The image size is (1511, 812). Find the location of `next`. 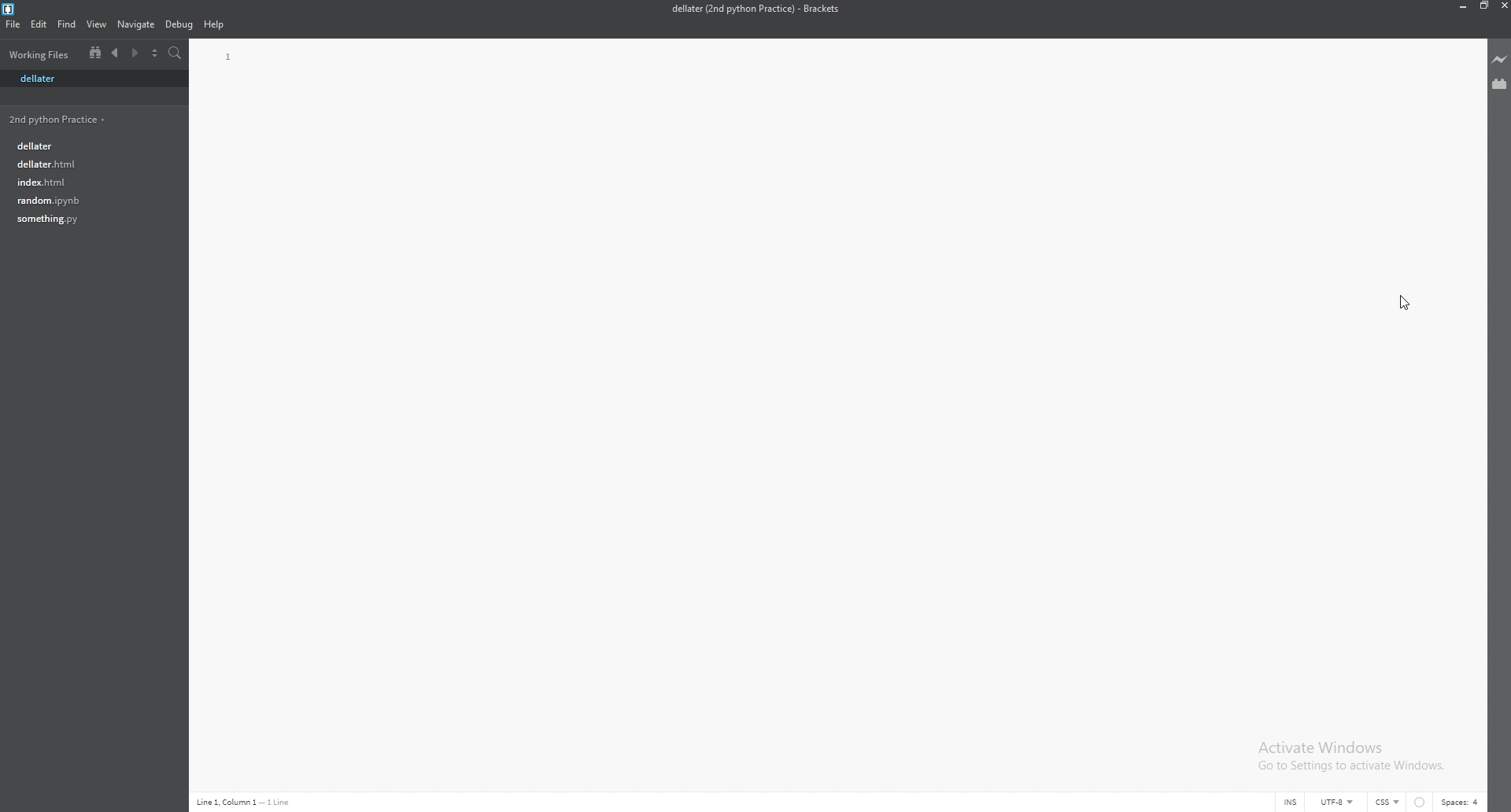

next is located at coordinates (134, 54).